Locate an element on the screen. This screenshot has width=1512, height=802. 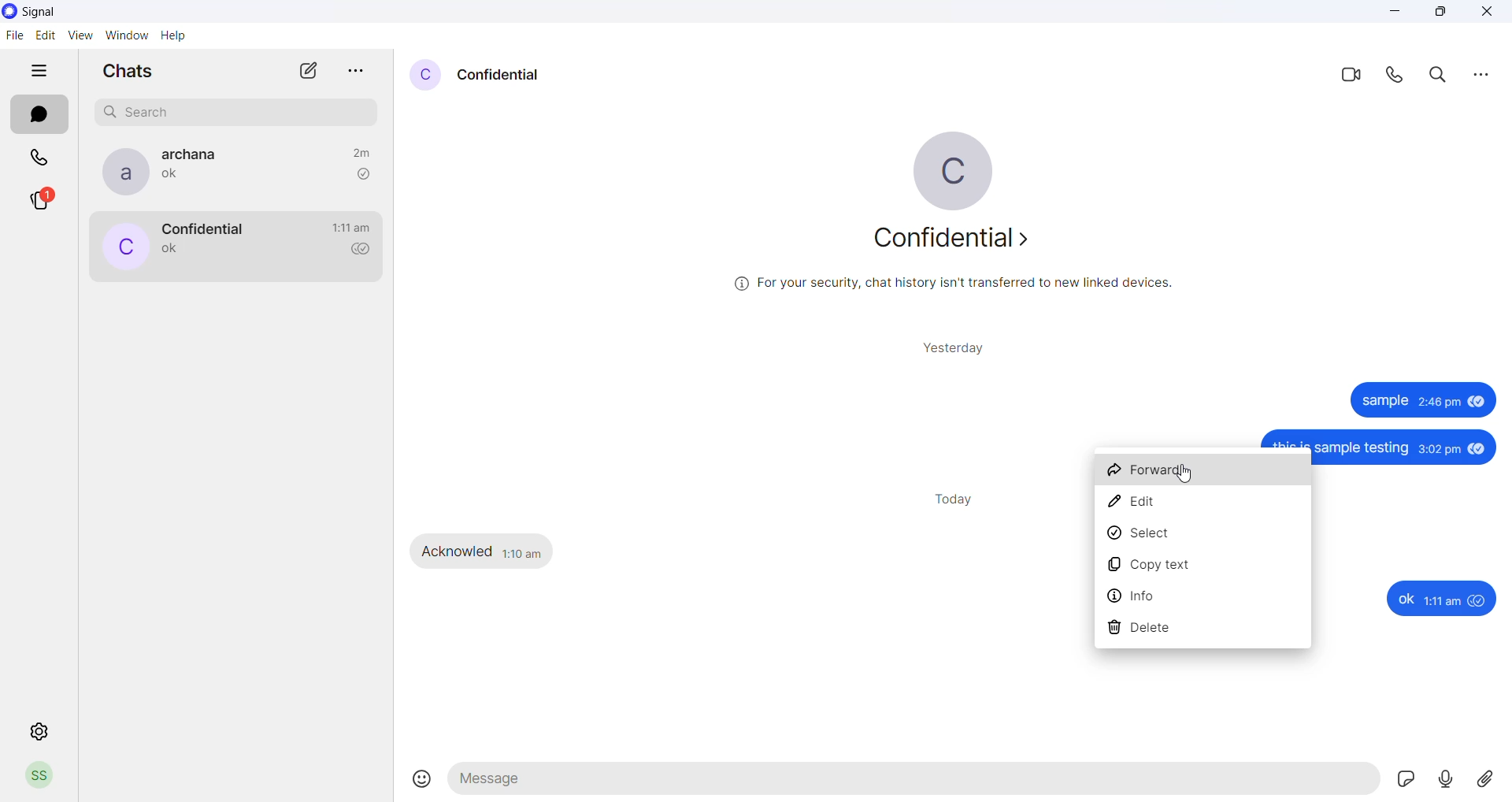
about contact is located at coordinates (962, 242).